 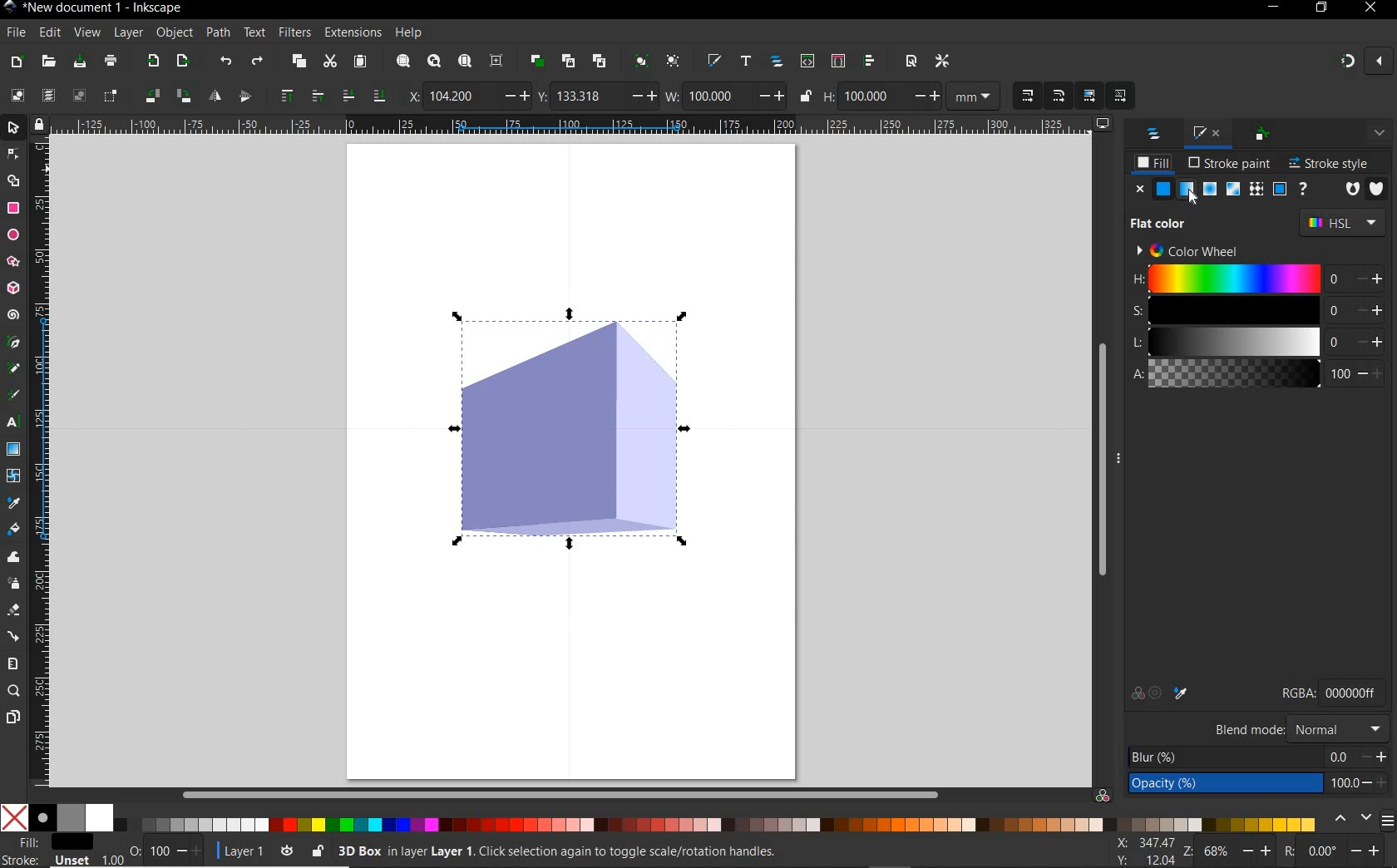 What do you see at coordinates (838, 62) in the screenshot?
I see `OPEN SELECTORS` at bounding box center [838, 62].